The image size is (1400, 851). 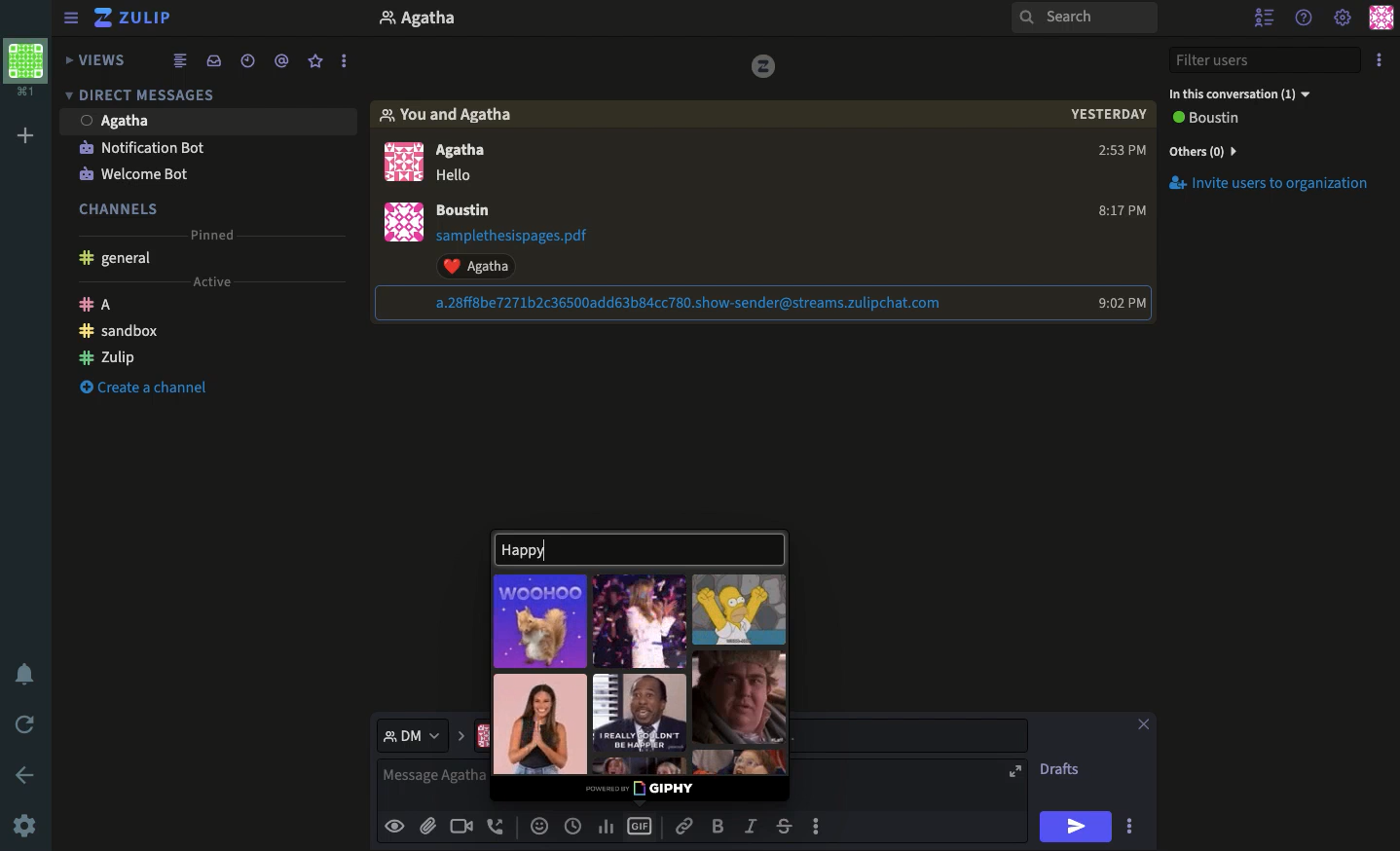 What do you see at coordinates (628, 546) in the screenshot?
I see `Happy` at bounding box center [628, 546].